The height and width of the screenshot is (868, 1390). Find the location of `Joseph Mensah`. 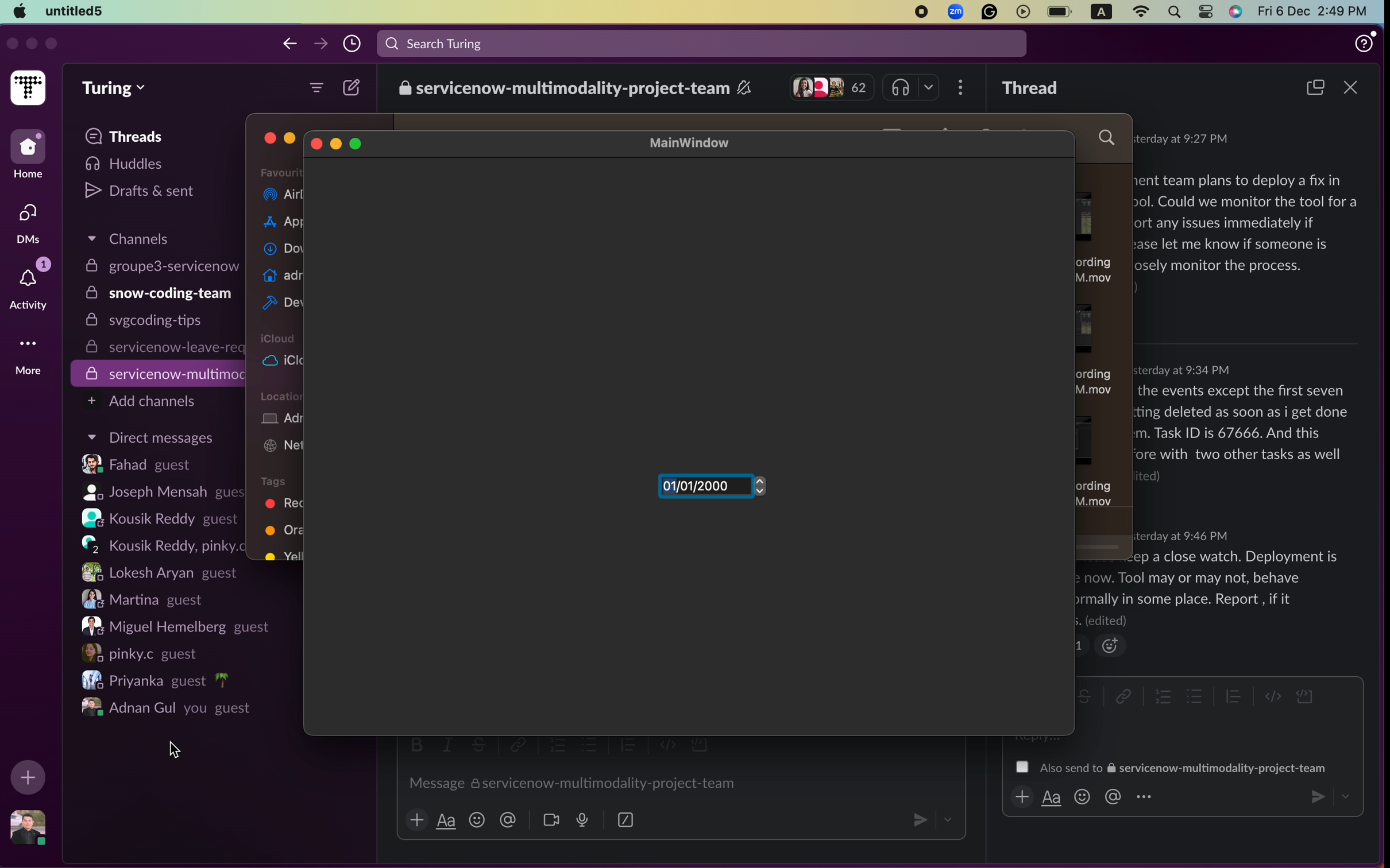

Joseph Mensah is located at coordinates (156, 491).